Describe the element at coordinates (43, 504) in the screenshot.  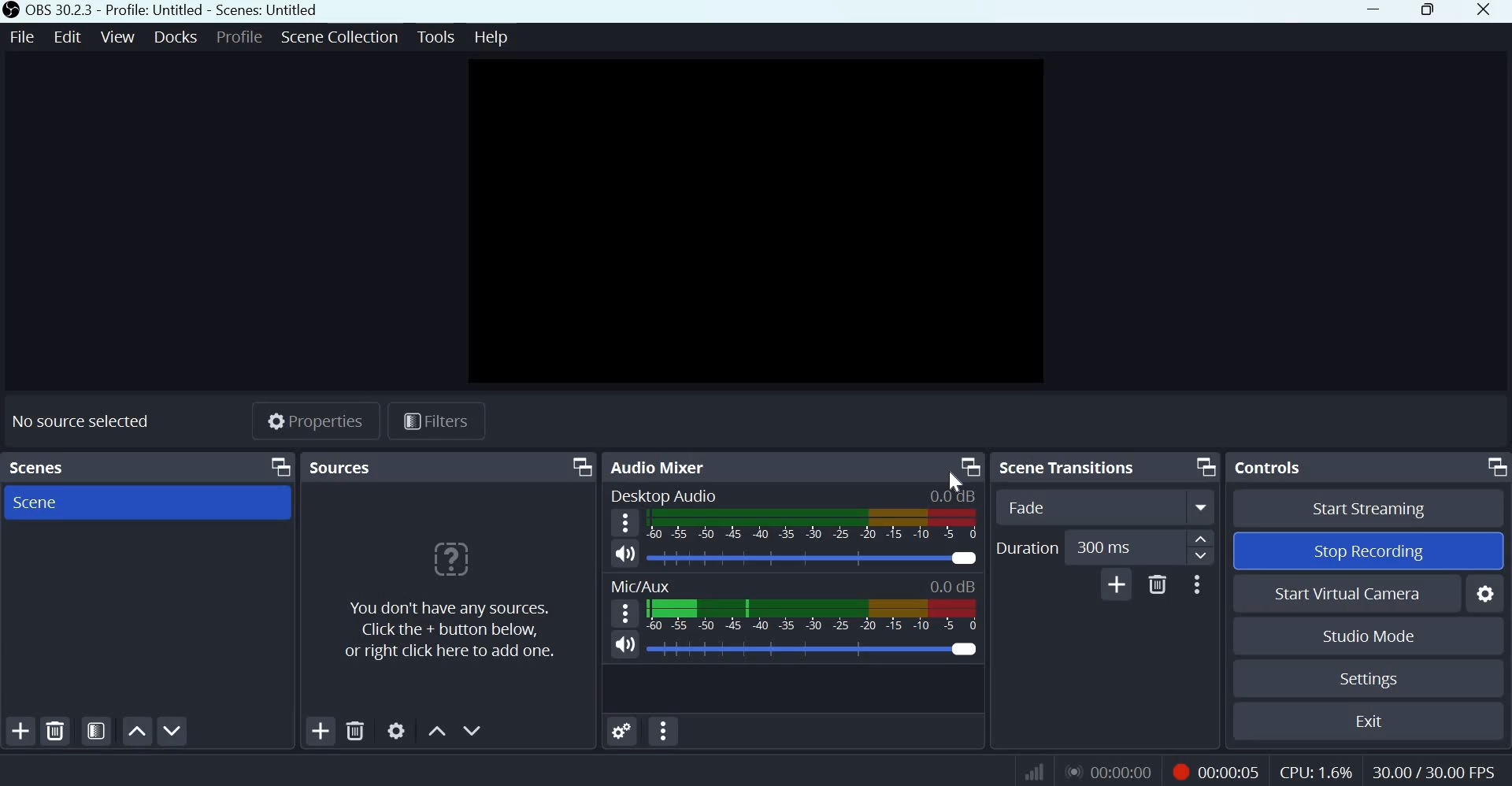
I see `Scene` at that location.